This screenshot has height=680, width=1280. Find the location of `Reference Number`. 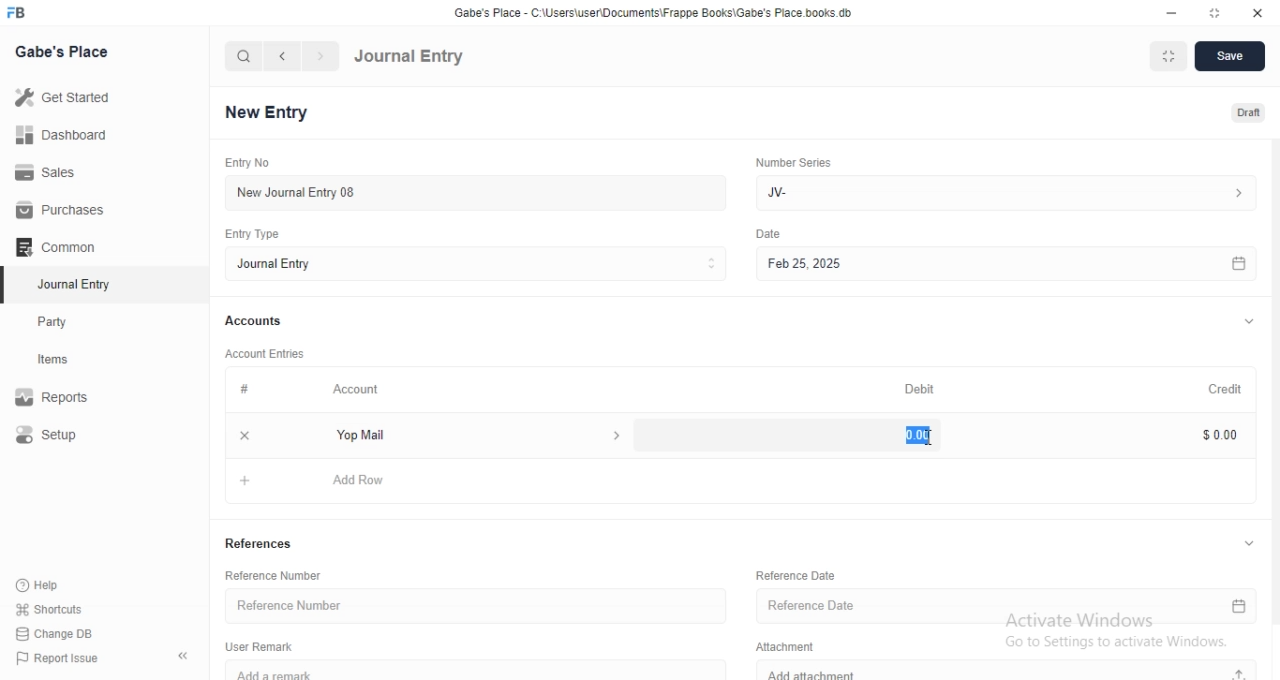

Reference Number is located at coordinates (277, 574).